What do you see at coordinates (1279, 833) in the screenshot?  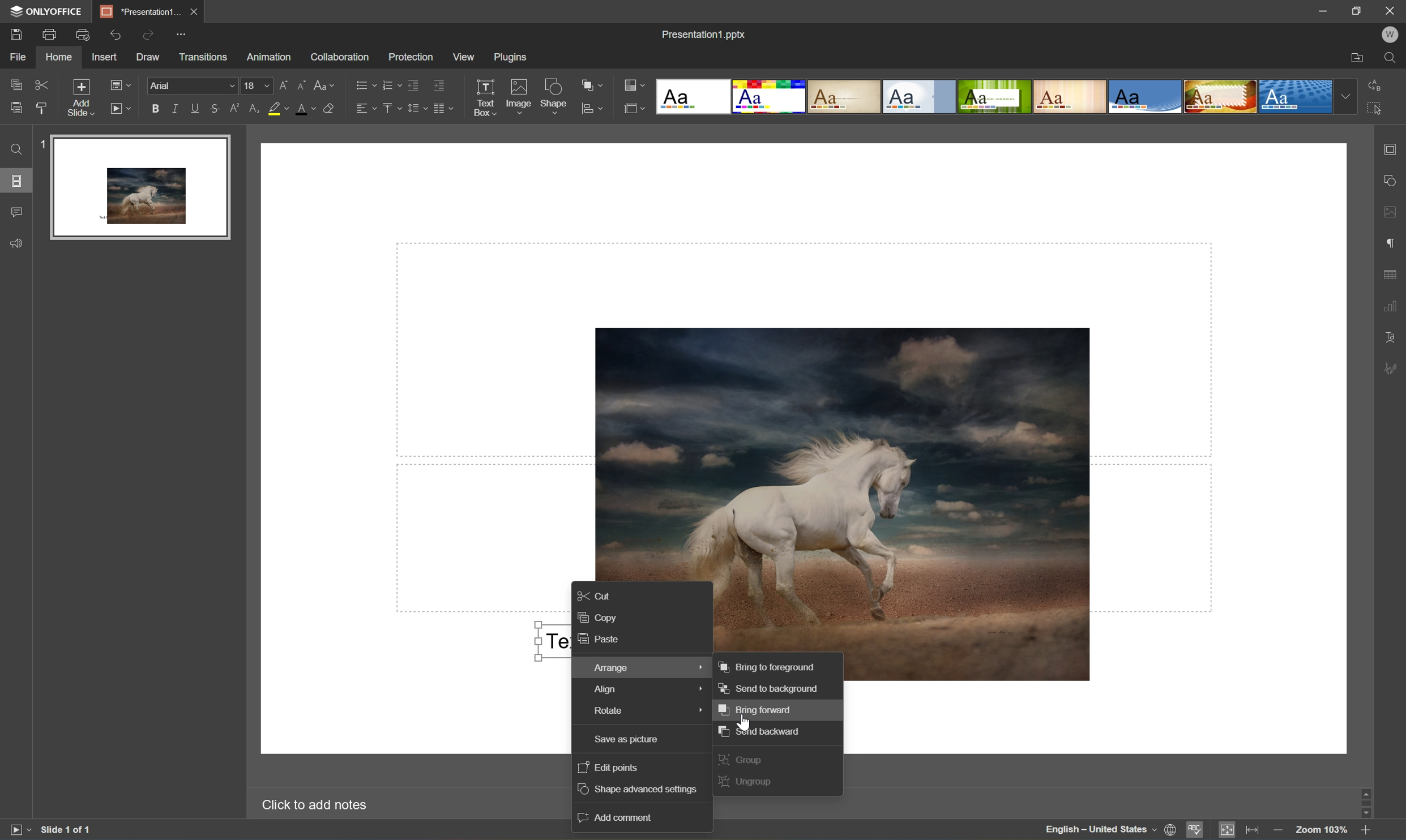 I see `Zoom out` at bounding box center [1279, 833].